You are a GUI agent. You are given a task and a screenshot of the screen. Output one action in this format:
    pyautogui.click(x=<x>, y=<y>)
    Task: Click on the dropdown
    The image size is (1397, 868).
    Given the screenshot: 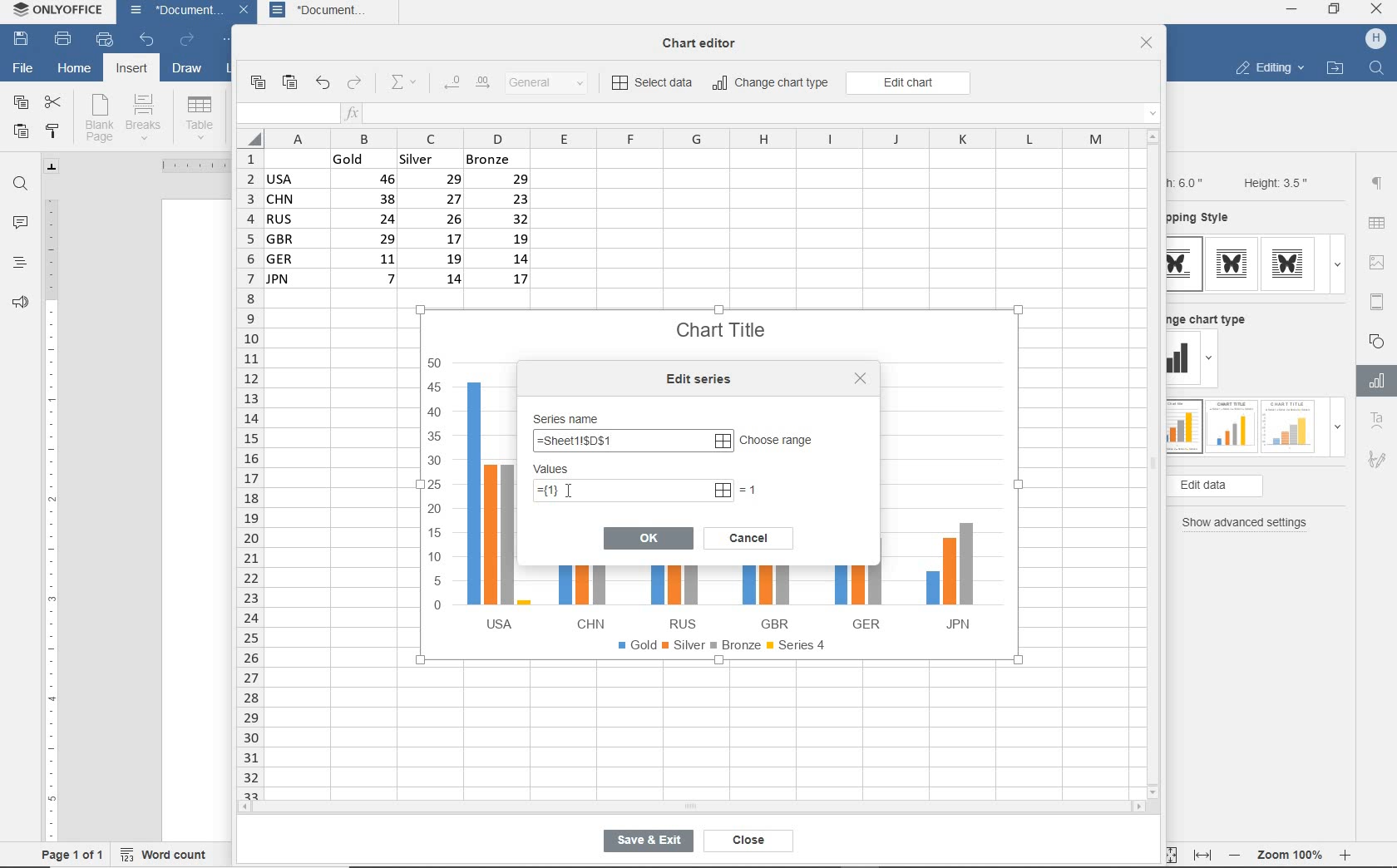 What is the action you would take?
    pyautogui.click(x=1337, y=264)
    